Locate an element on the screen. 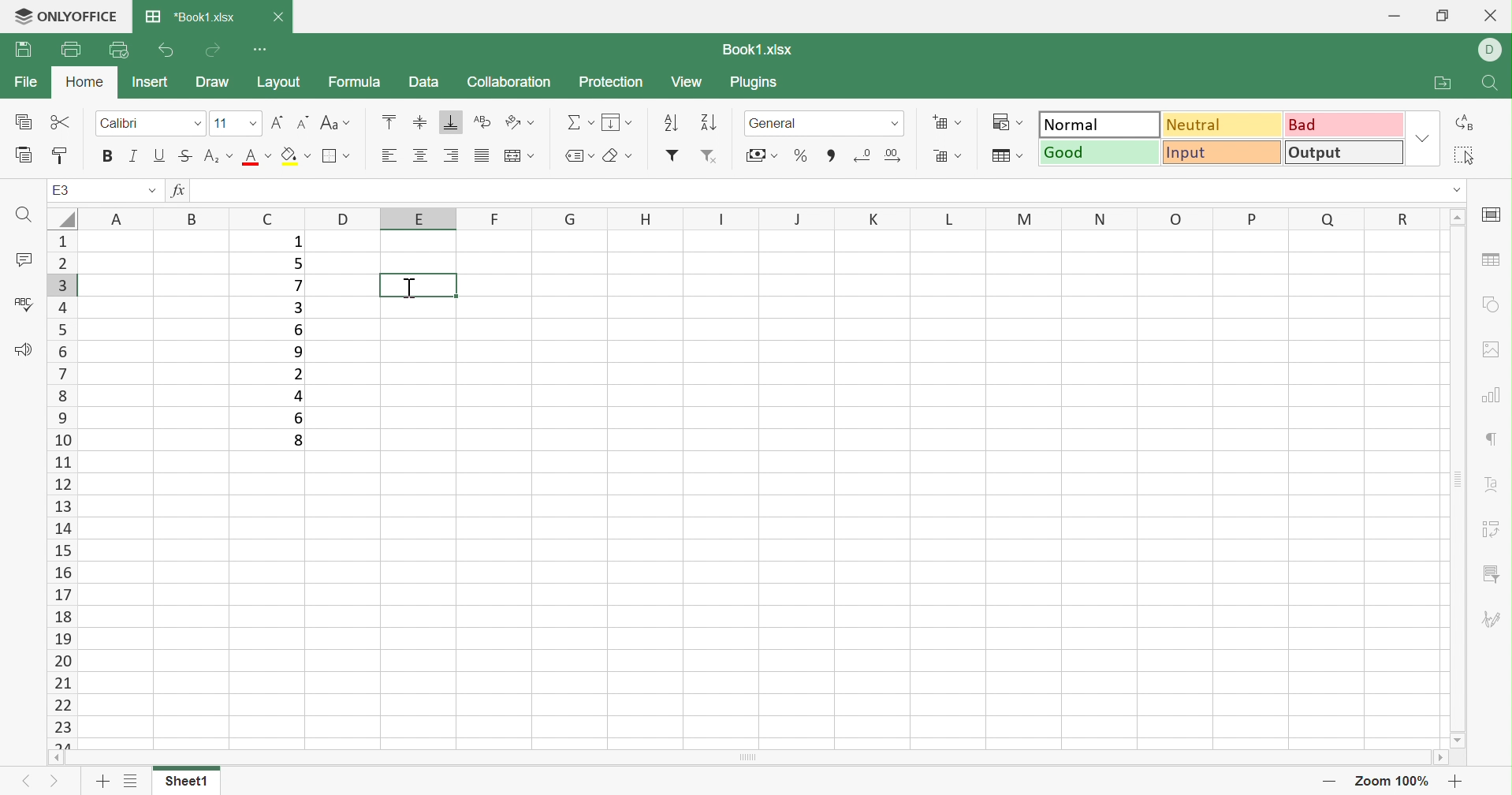 The height and width of the screenshot is (795, 1512). Percent style is located at coordinates (801, 155).